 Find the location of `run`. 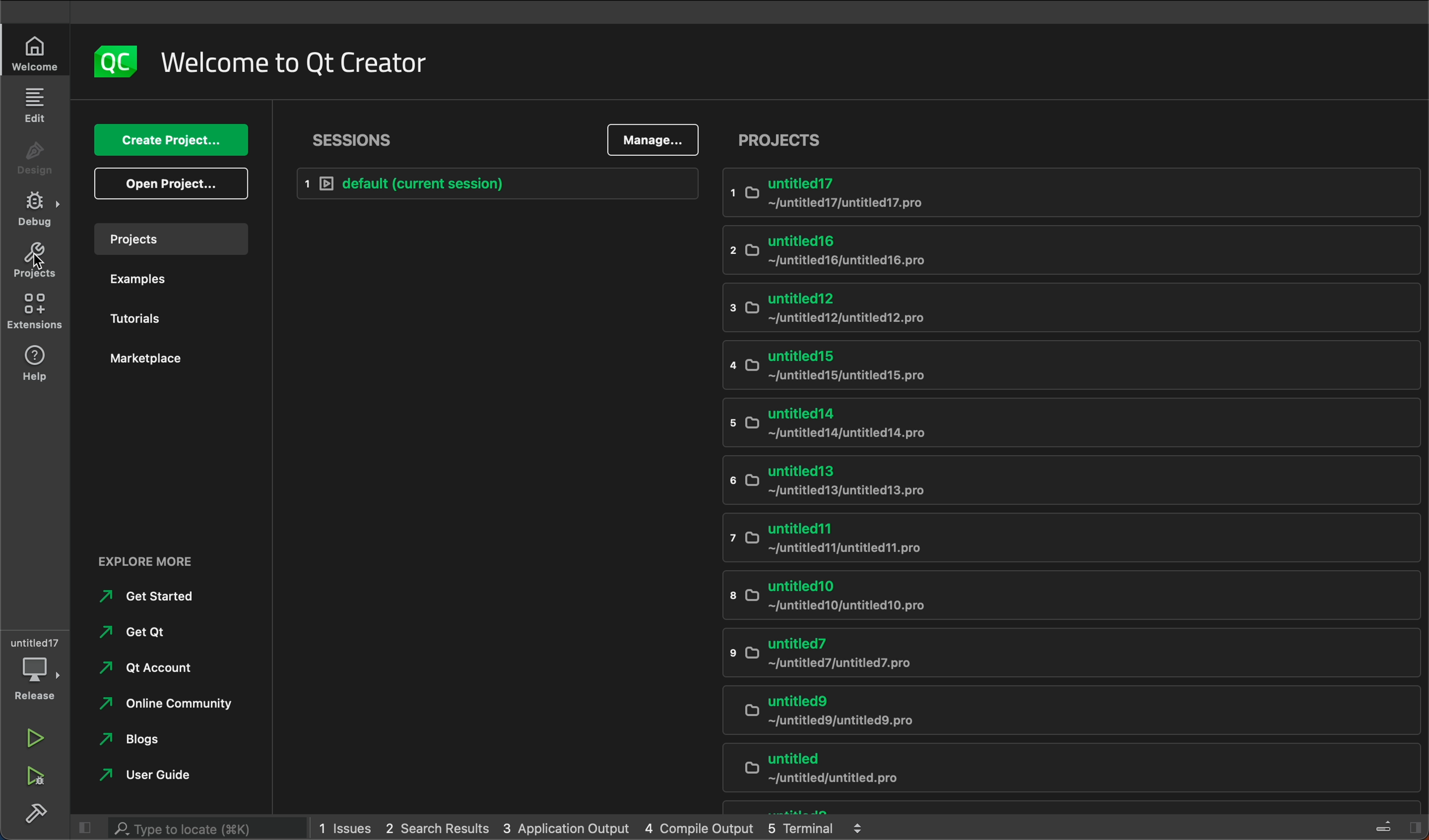

run is located at coordinates (39, 734).